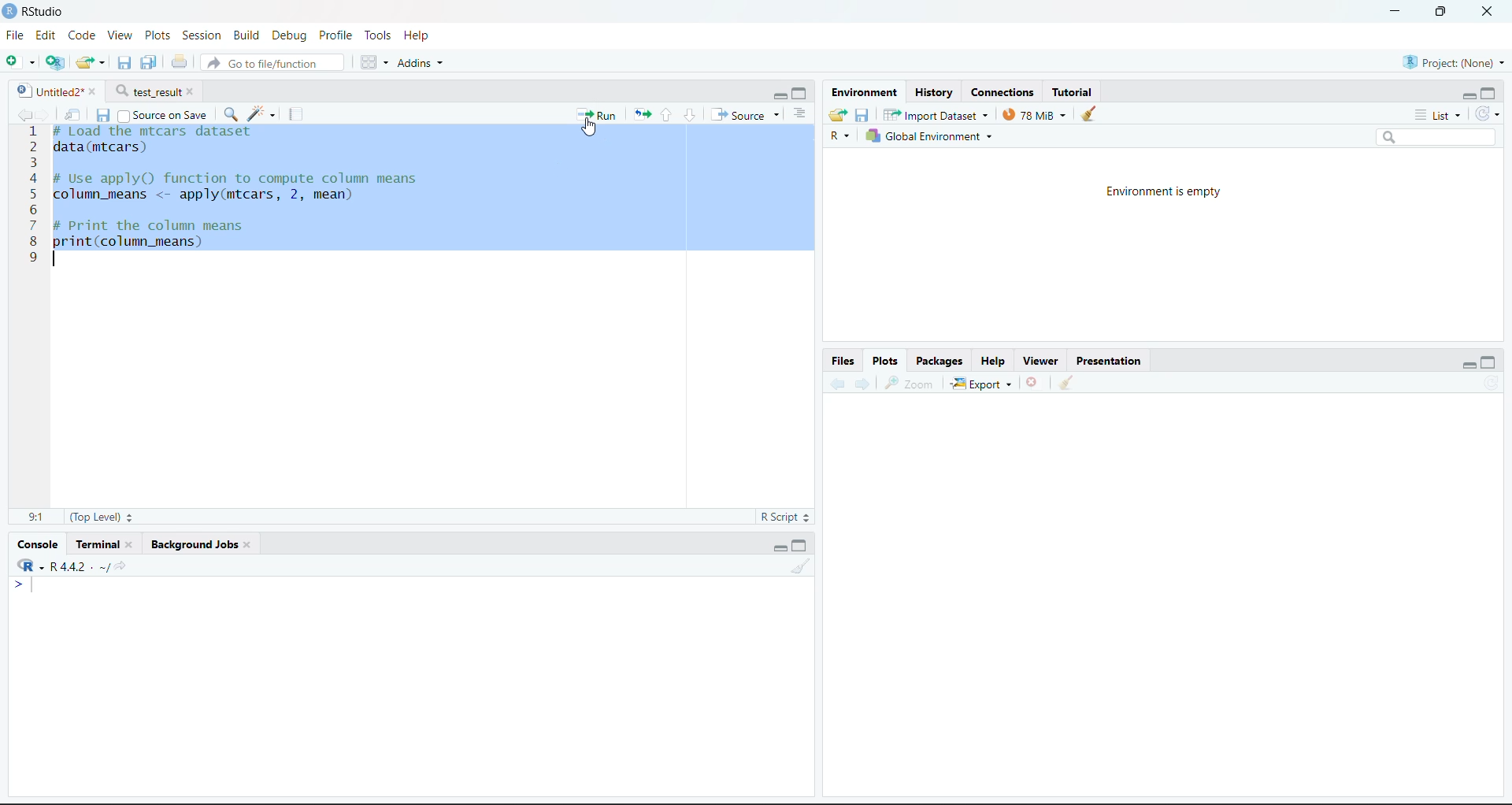 The width and height of the screenshot is (1512, 805). What do you see at coordinates (80, 35) in the screenshot?
I see `Code` at bounding box center [80, 35].